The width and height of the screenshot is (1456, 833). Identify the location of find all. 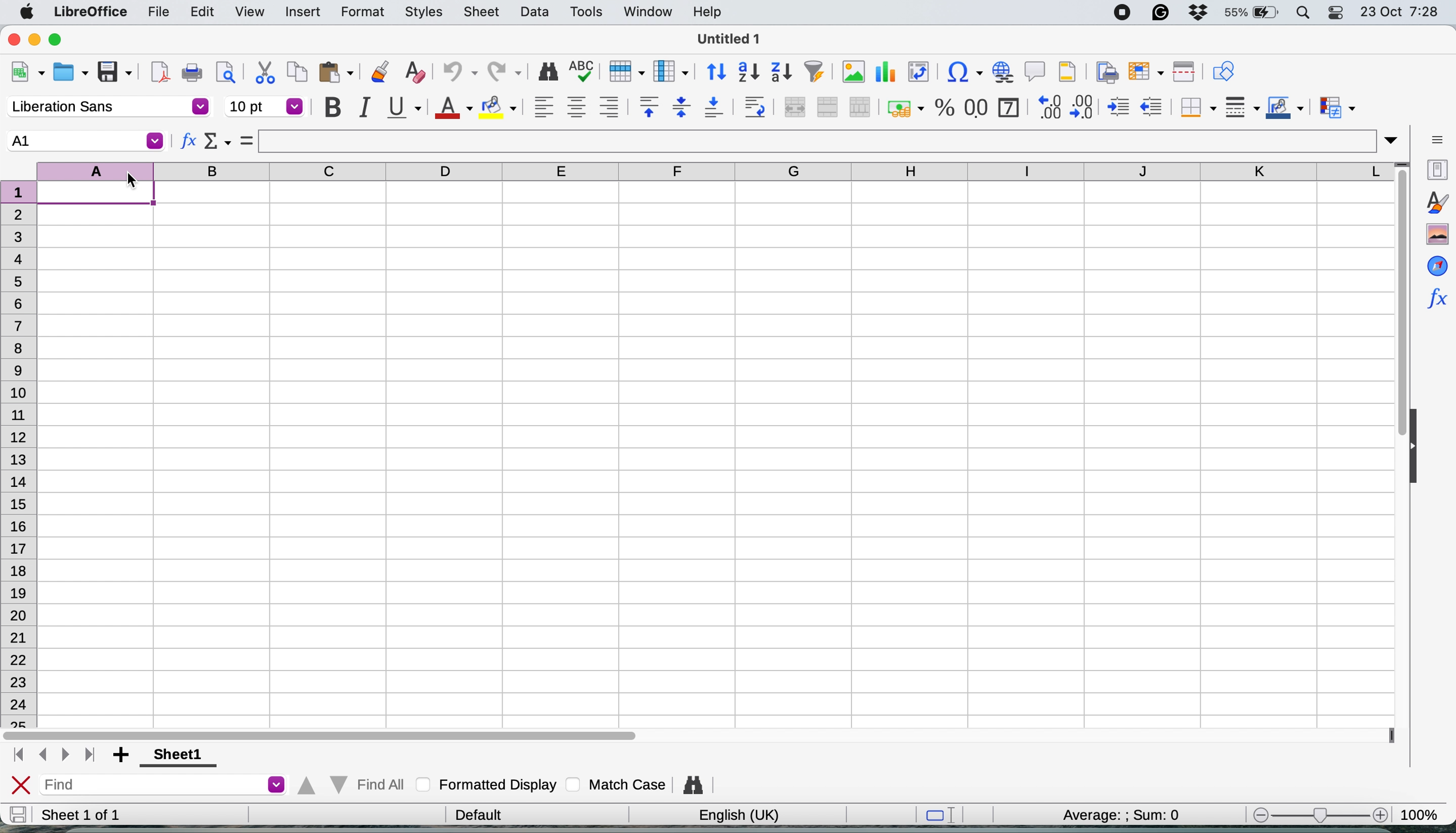
(353, 786).